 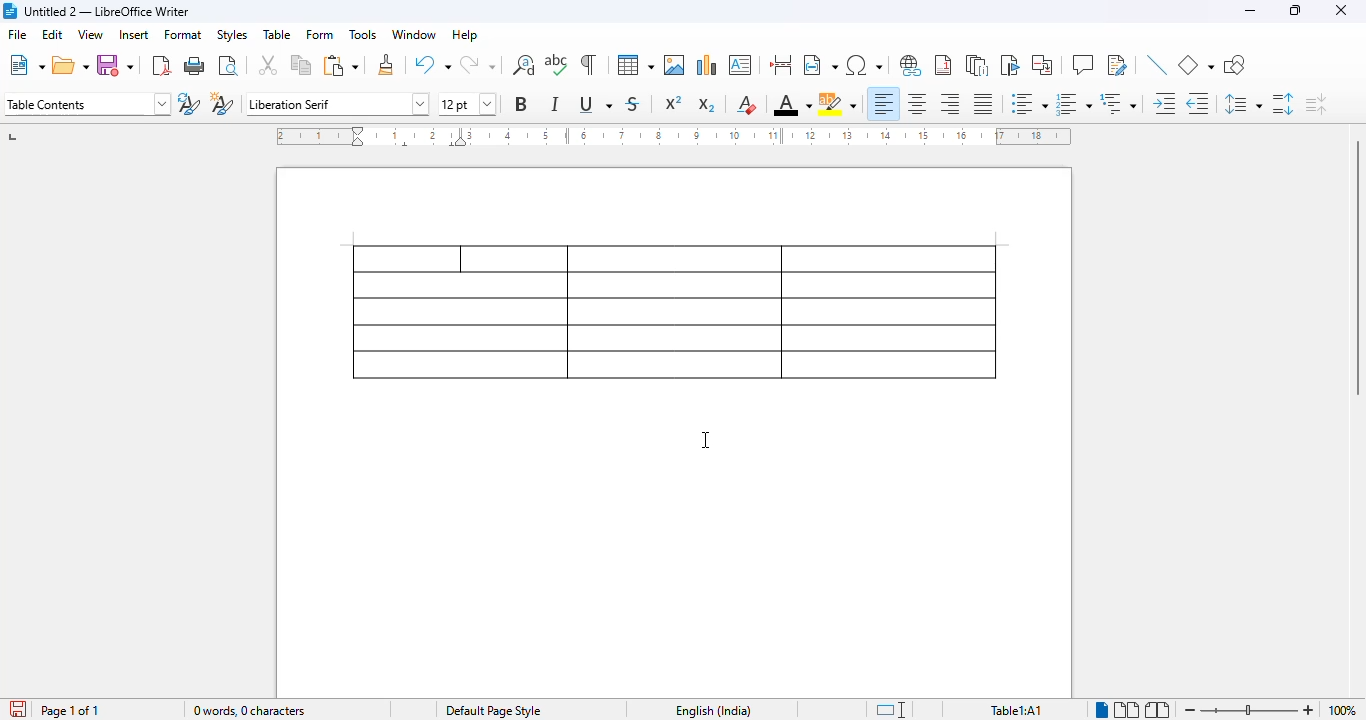 What do you see at coordinates (1118, 65) in the screenshot?
I see `show track changes functions` at bounding box center [1118, 65].